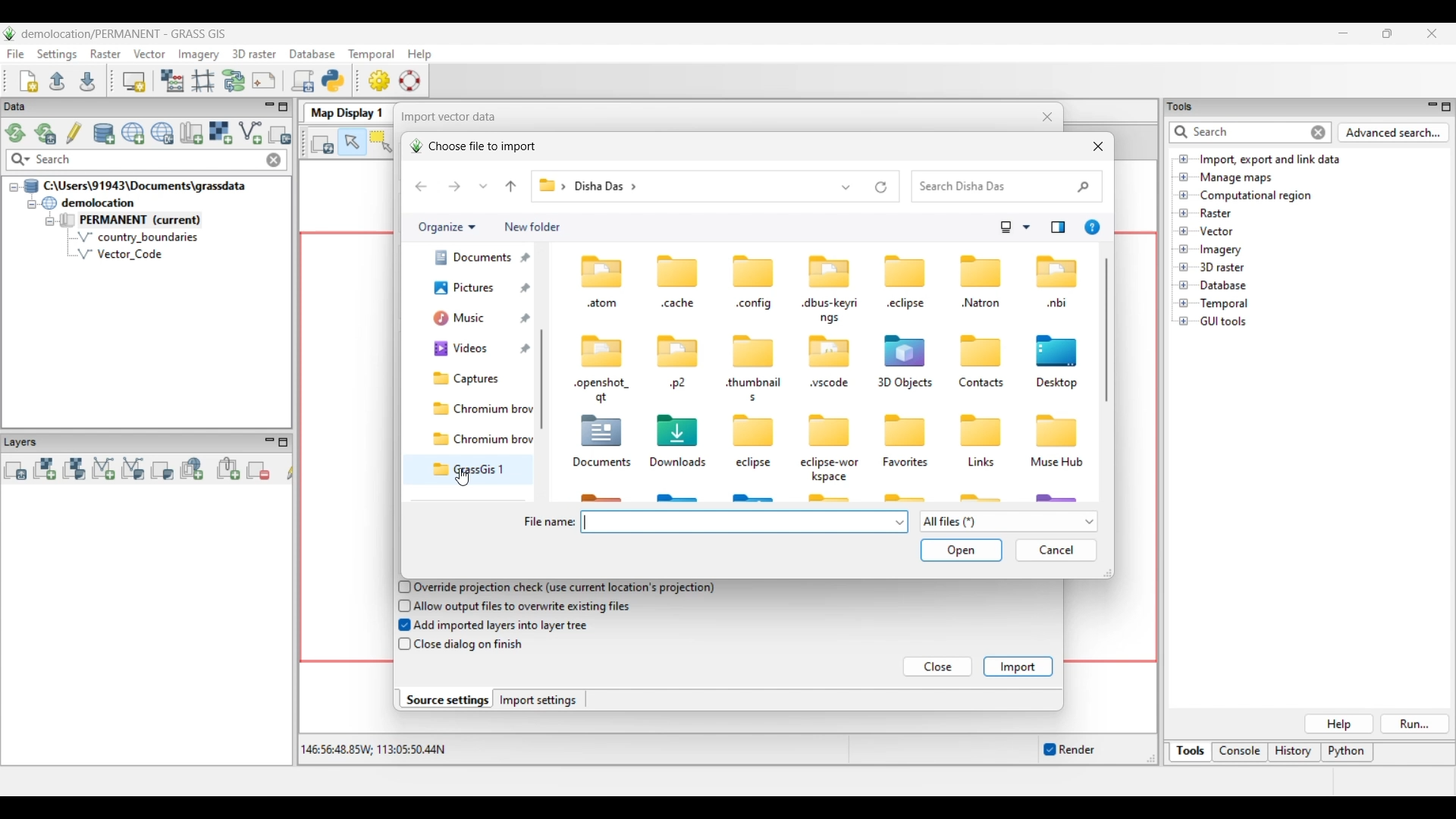 Image resolution: width=1456 pixels, height=819 pixels. Describe the element at coordinates (88, 202) in the screenshot. I see `Double click to collapse demolocation` at that location.